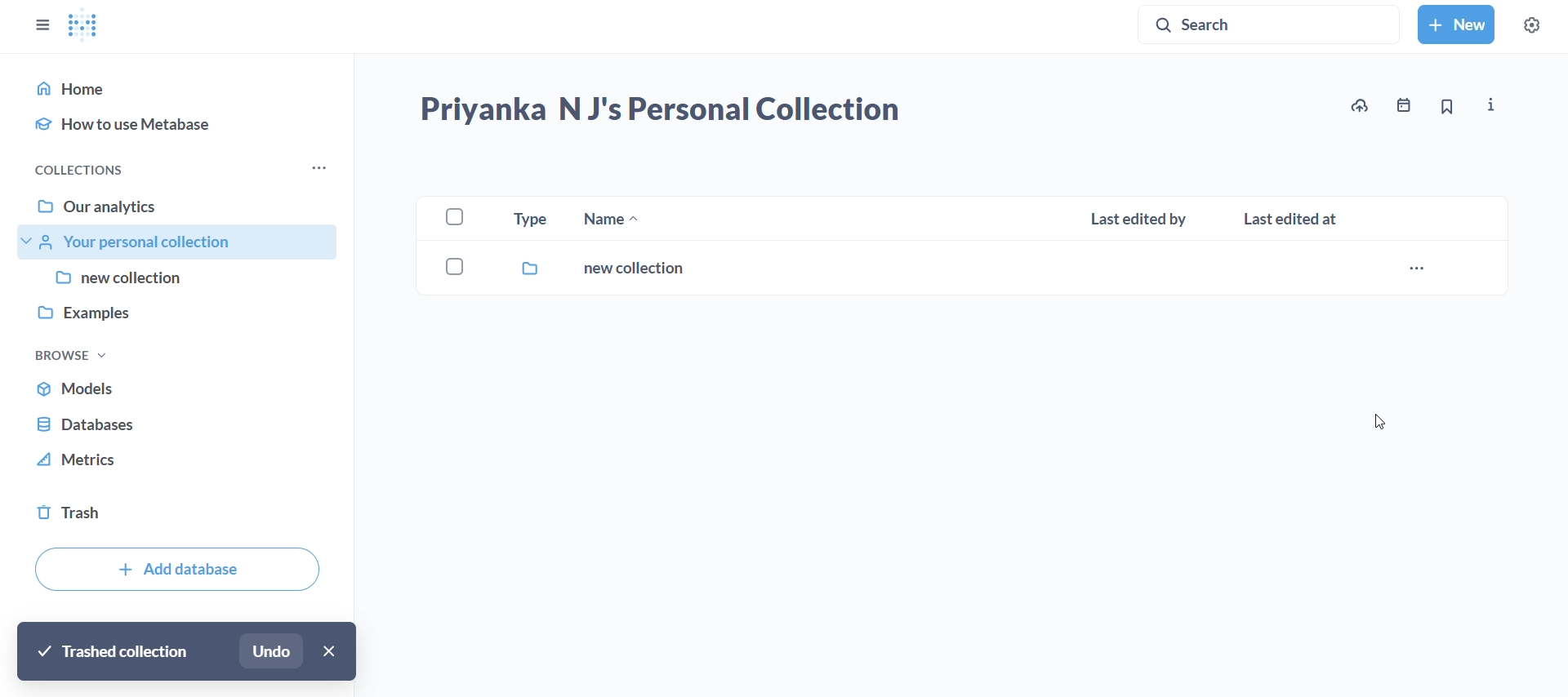 This screenshot has height=697, width=1568. I want to click on our analytics, so click(183, 210).